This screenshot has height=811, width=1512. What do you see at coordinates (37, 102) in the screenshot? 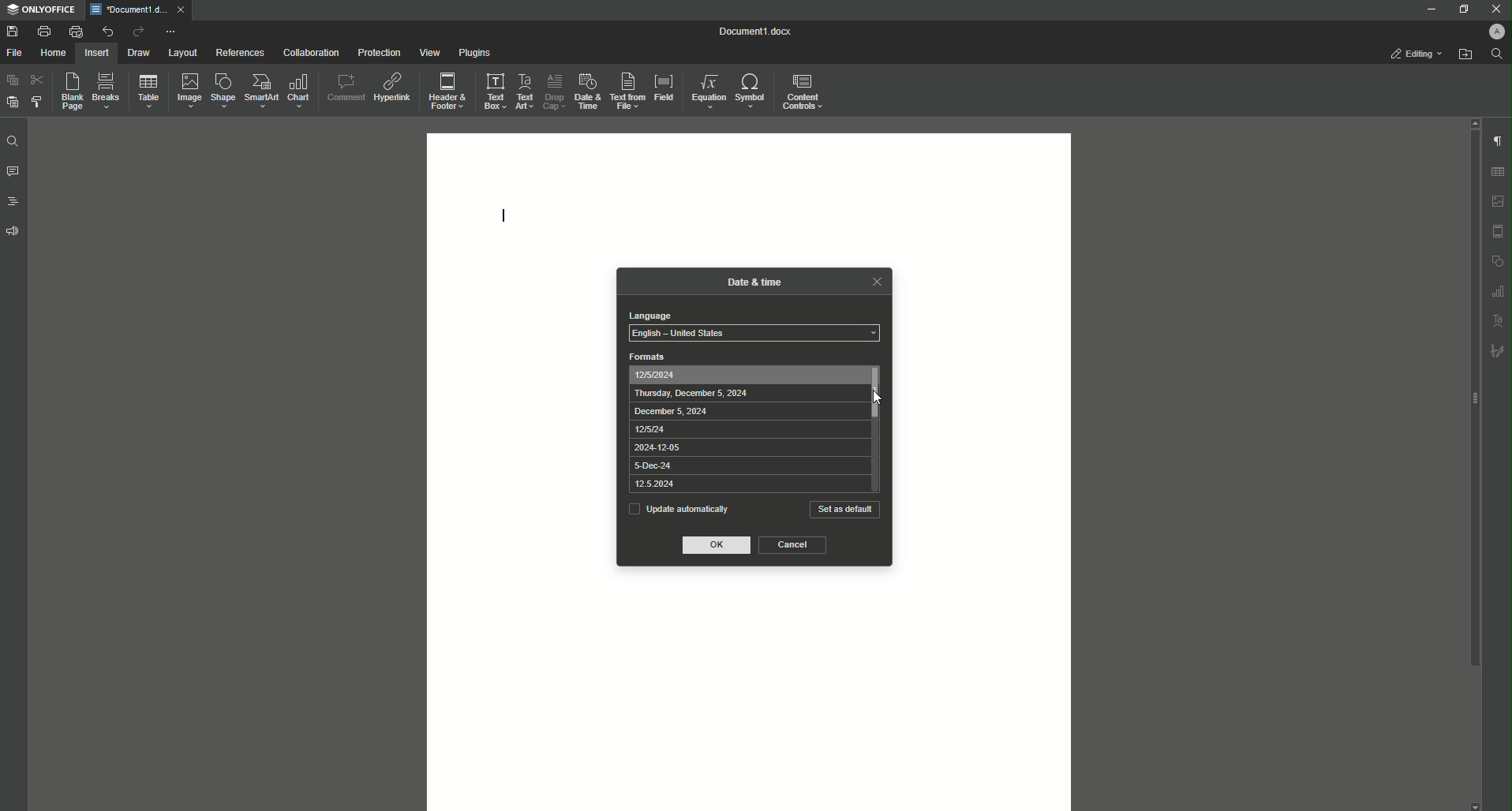
I see `Choose Style` at bounding box center [37, 102].